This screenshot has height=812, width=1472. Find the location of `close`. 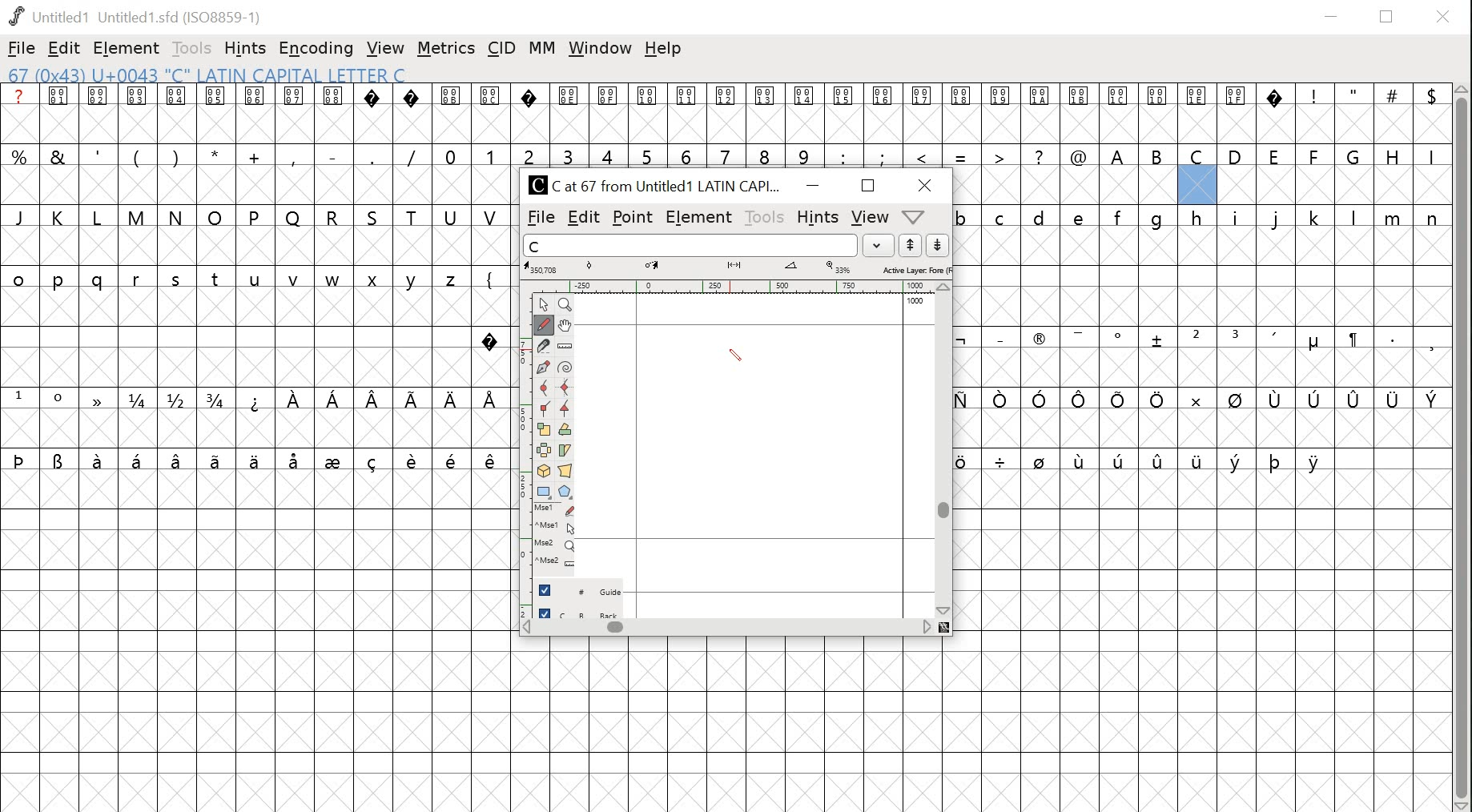

close is located at coordinates (1445, 16).